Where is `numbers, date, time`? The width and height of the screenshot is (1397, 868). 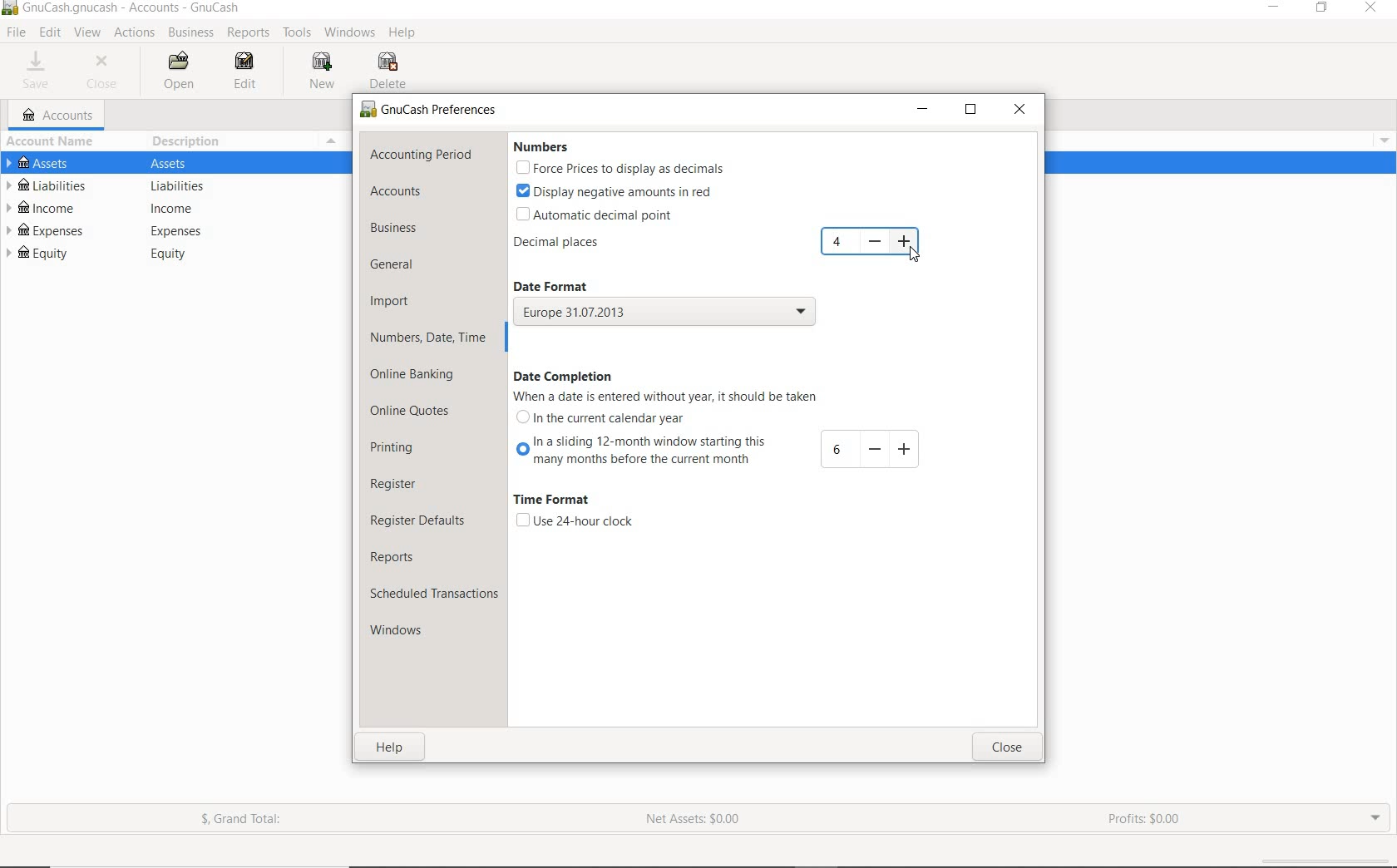
numbers, date, time is located at coordinates (429, 340).